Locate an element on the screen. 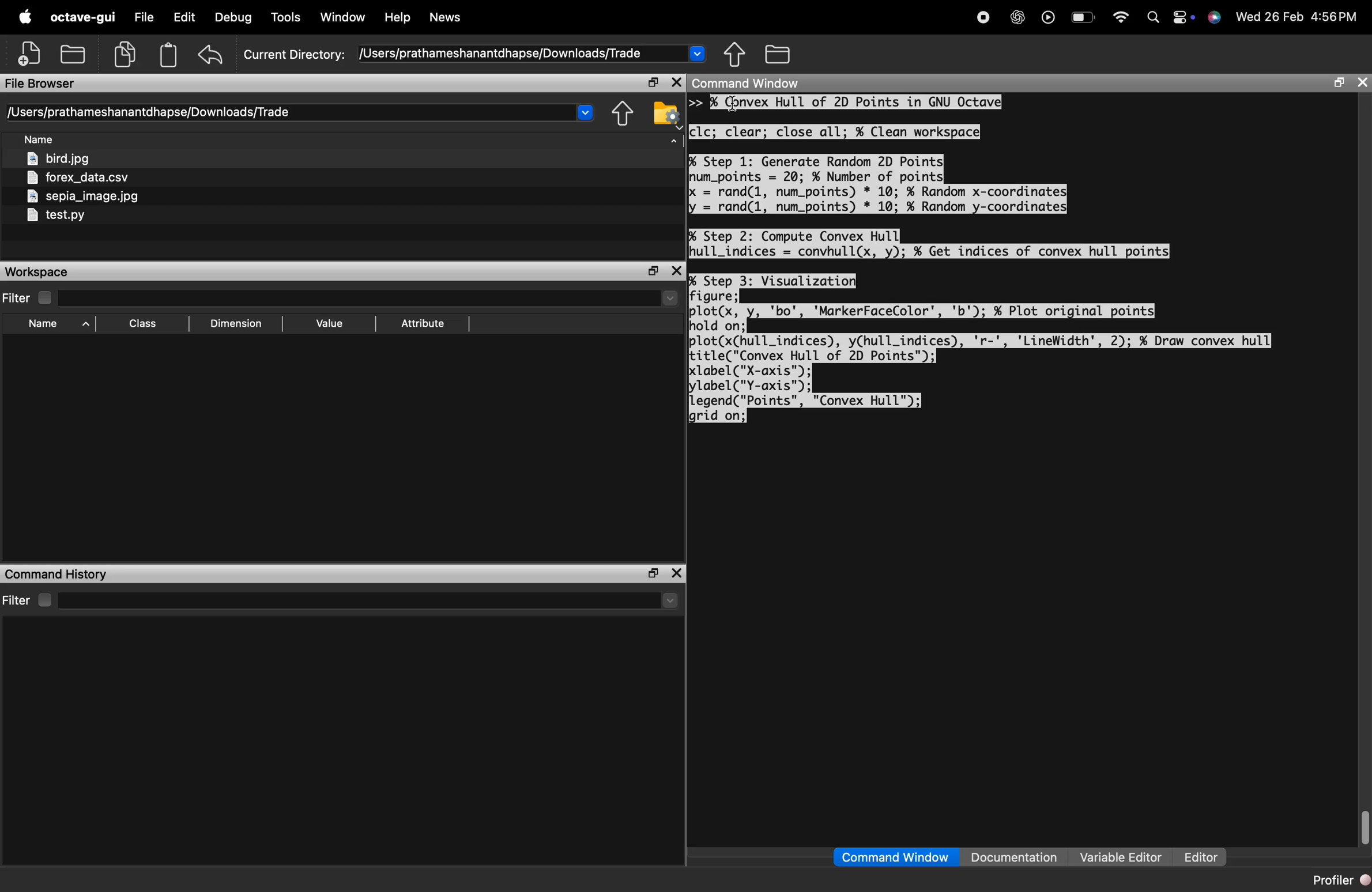 This screenshot has width=1372, height=892. Name ^ is located at coordinates (59, 323).